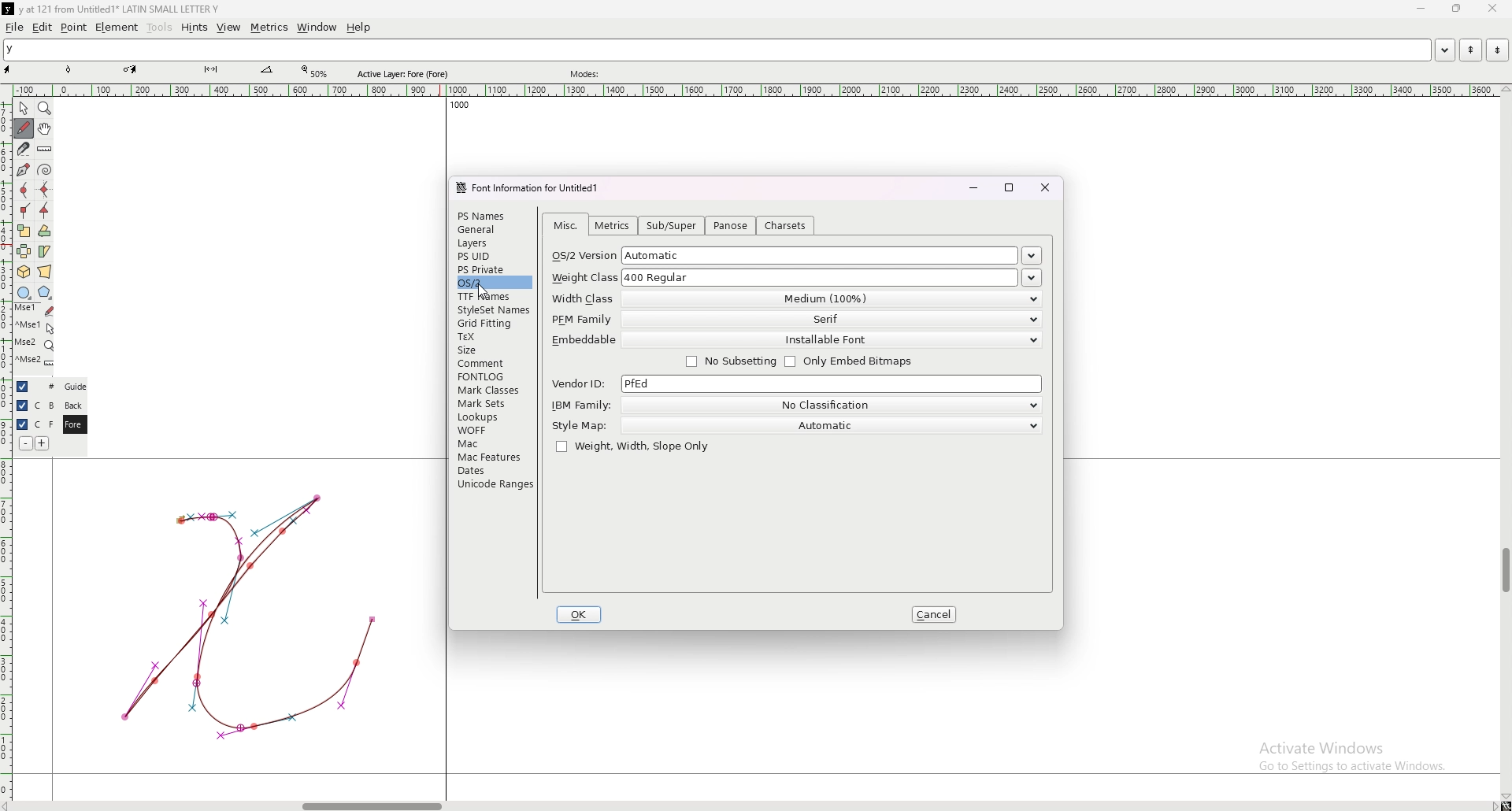 This screenshot has height=811, width=1512. I want to click on close, so click(1046, 187).